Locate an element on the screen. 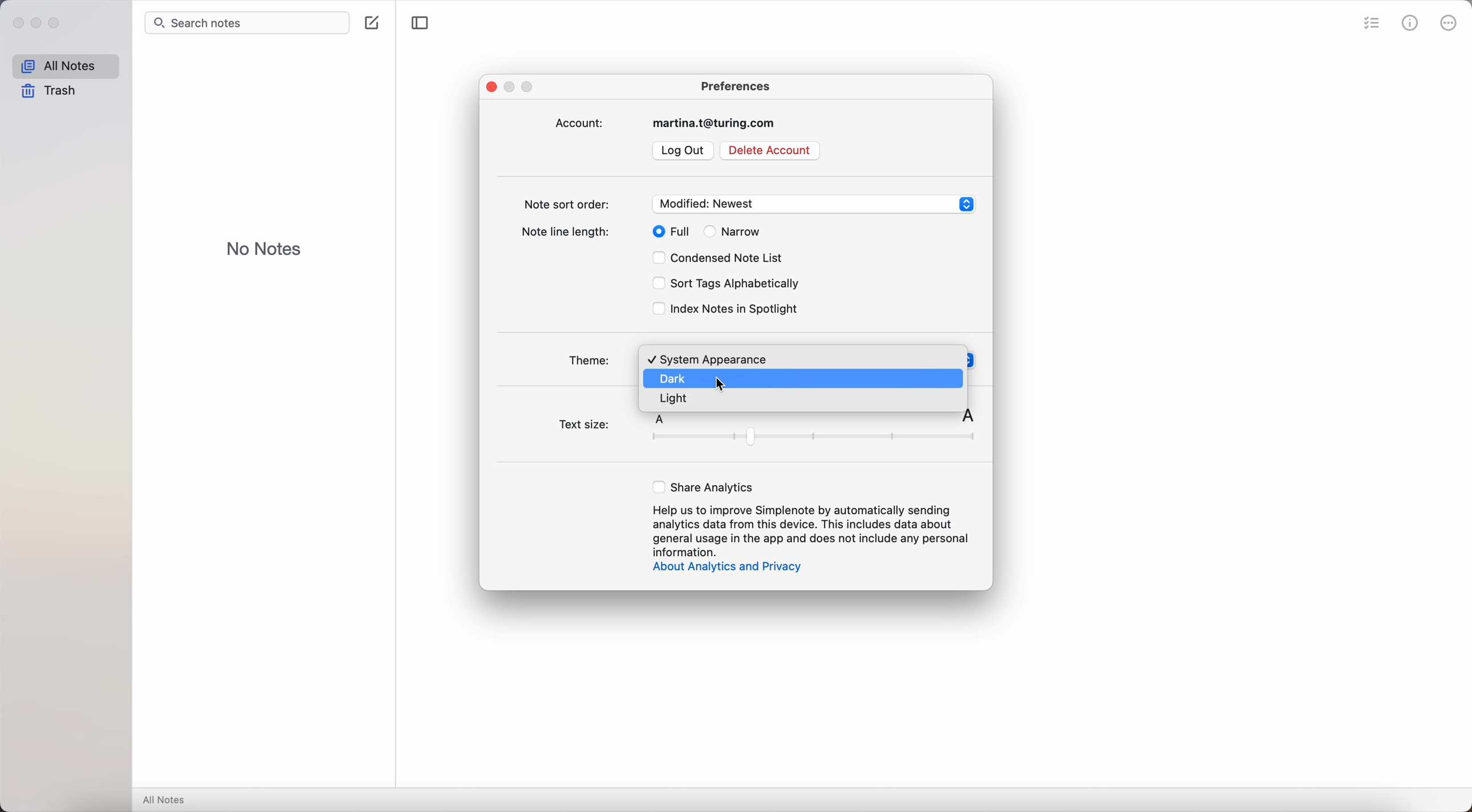  light is located at coordinates (674, 399).